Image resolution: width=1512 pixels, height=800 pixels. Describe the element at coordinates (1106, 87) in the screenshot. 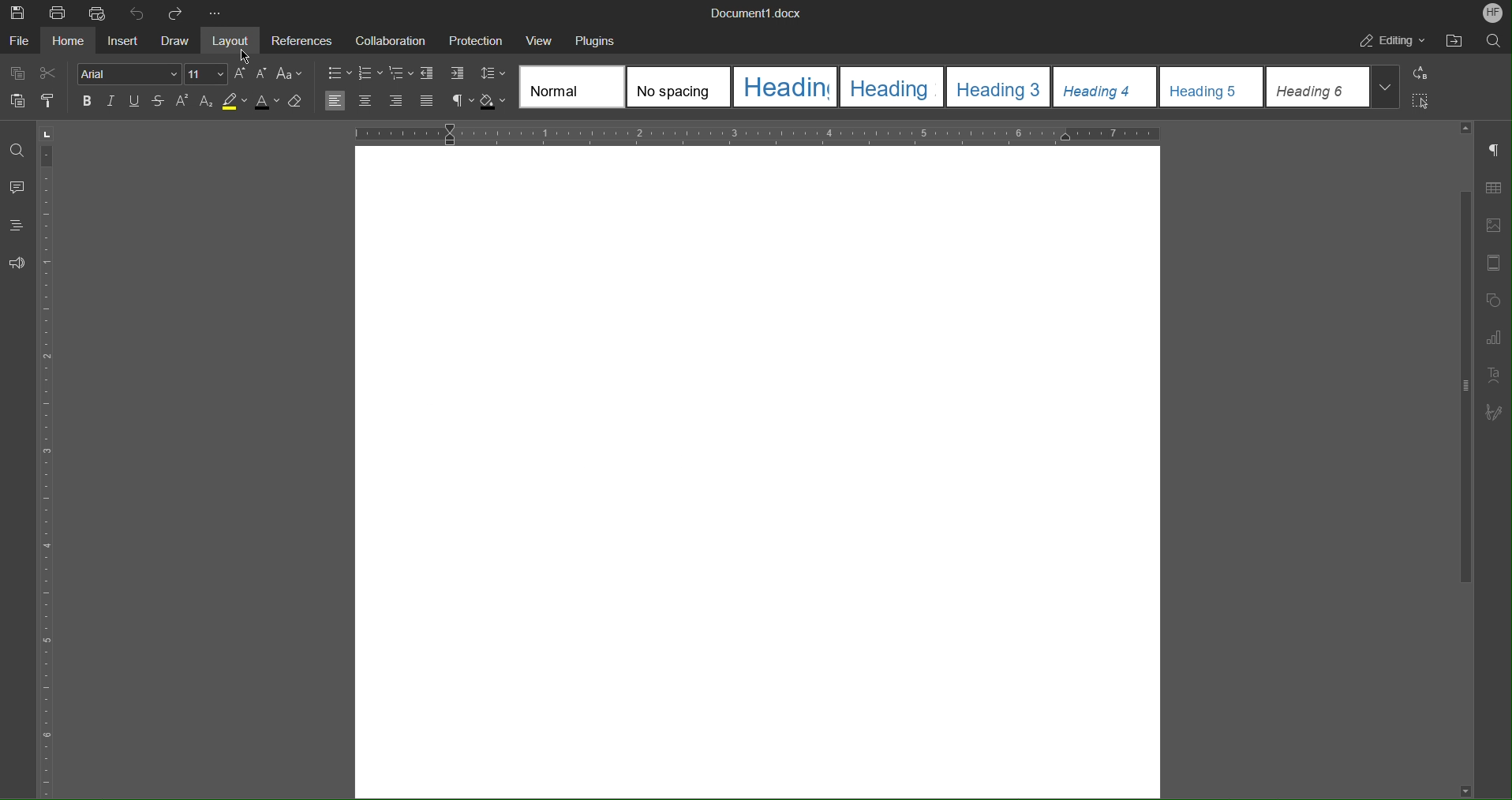

I see `Heading 4` at that location.